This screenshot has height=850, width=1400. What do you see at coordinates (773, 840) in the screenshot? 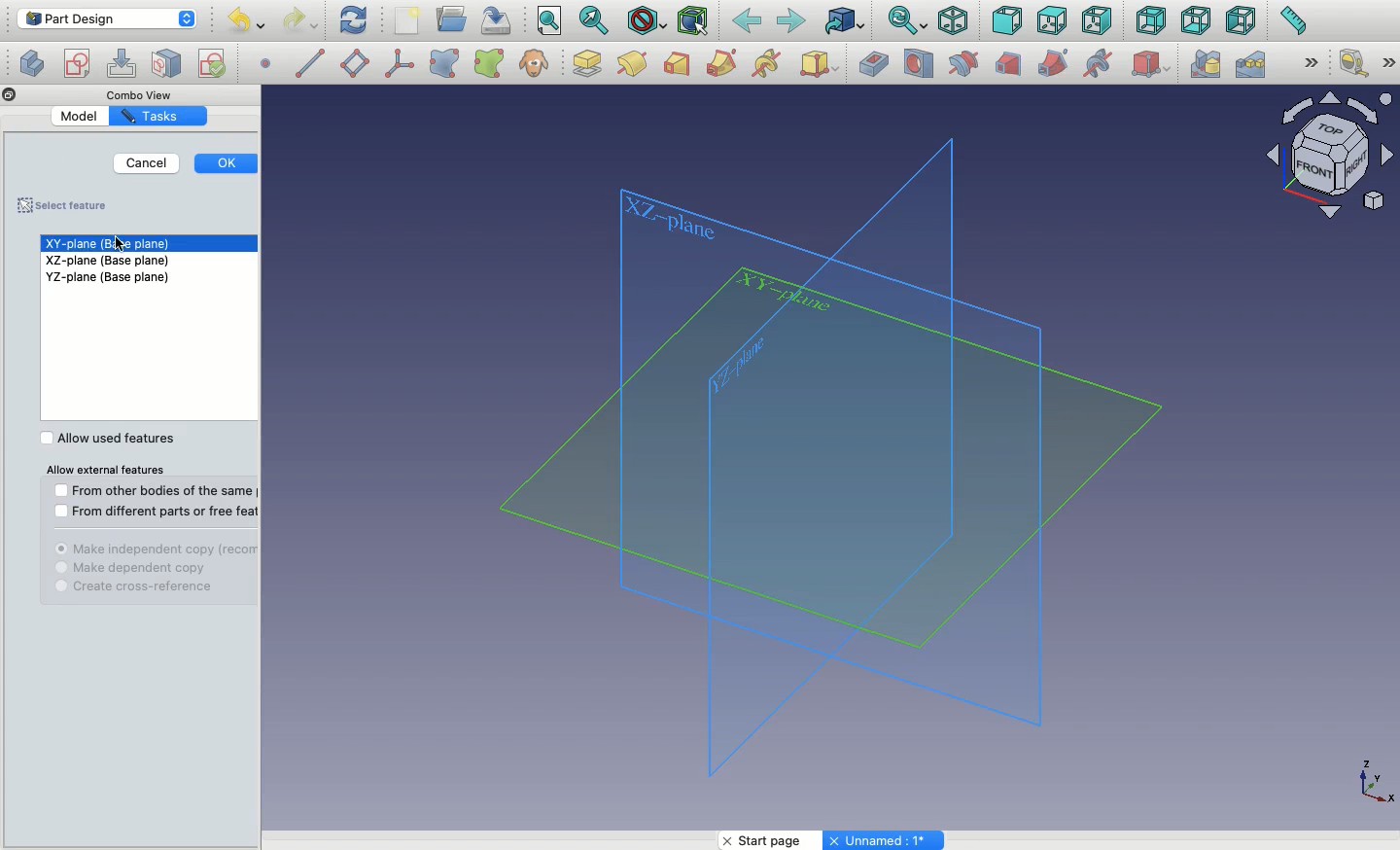
I see `Start page` at bounding box center [773, 840].